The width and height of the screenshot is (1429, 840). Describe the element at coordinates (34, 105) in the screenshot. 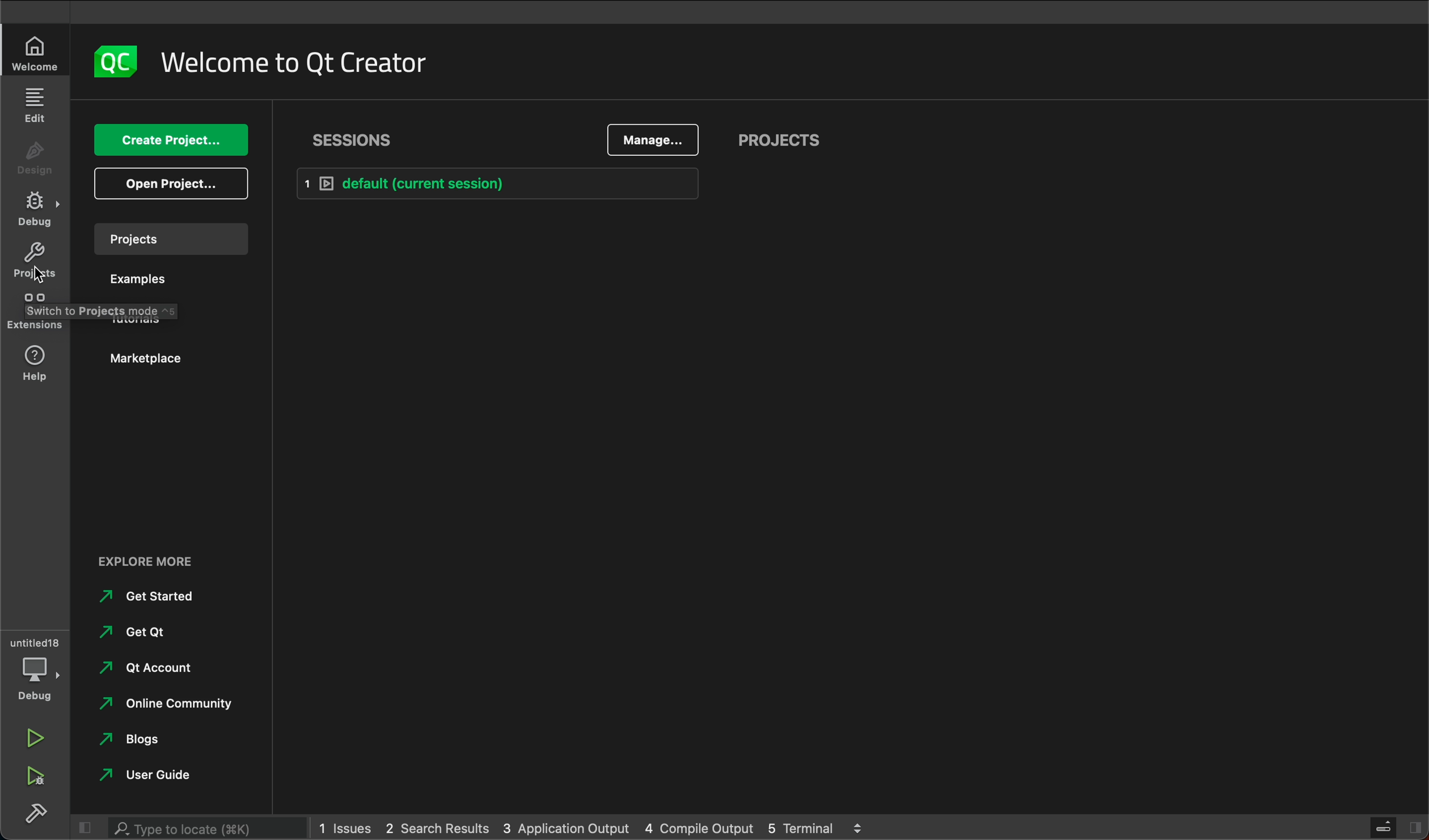

I see `edit` at that location.